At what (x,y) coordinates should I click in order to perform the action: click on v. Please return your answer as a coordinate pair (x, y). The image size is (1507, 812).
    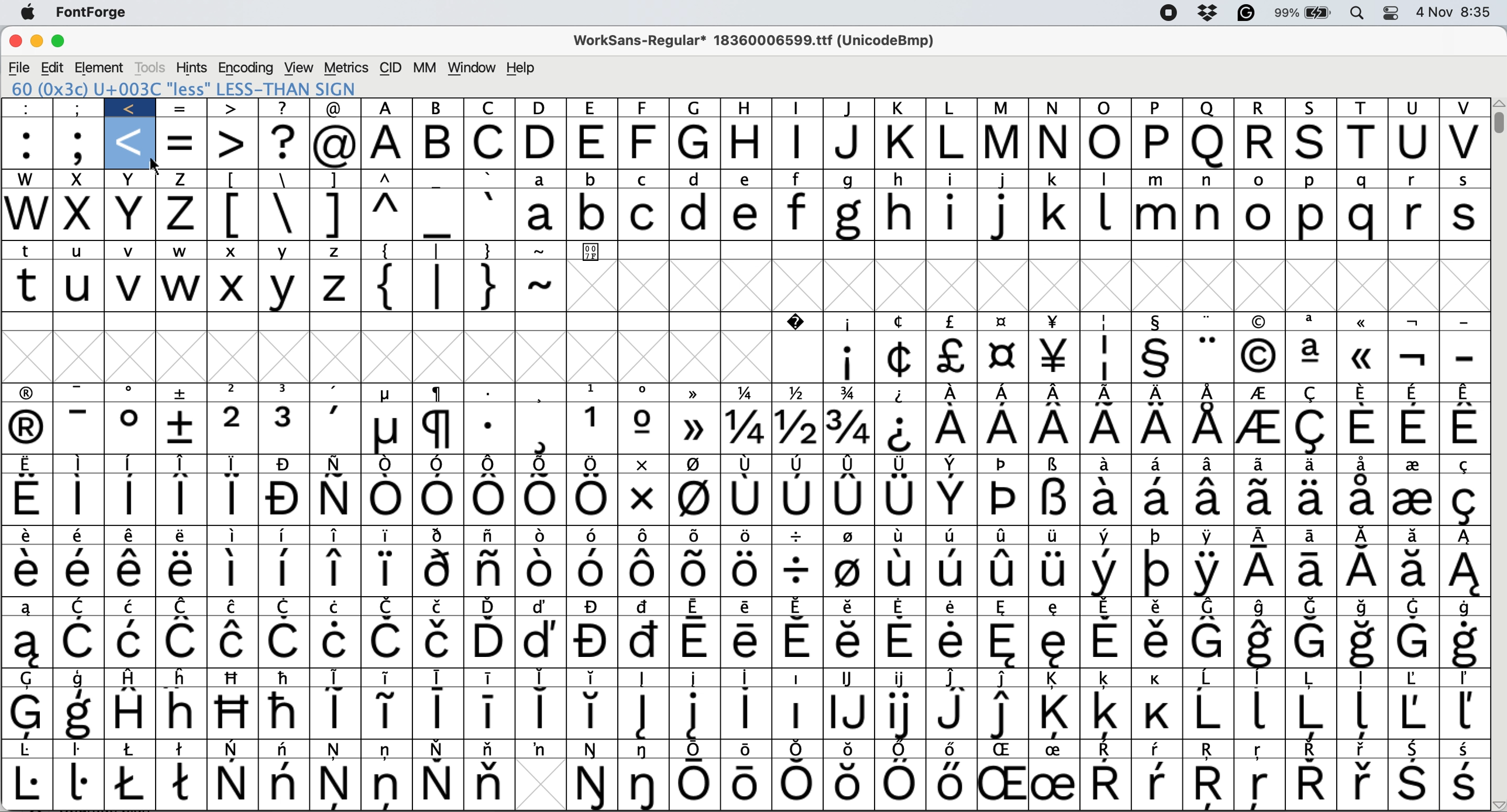
    Looking at the image, I should click on (1462, 143).